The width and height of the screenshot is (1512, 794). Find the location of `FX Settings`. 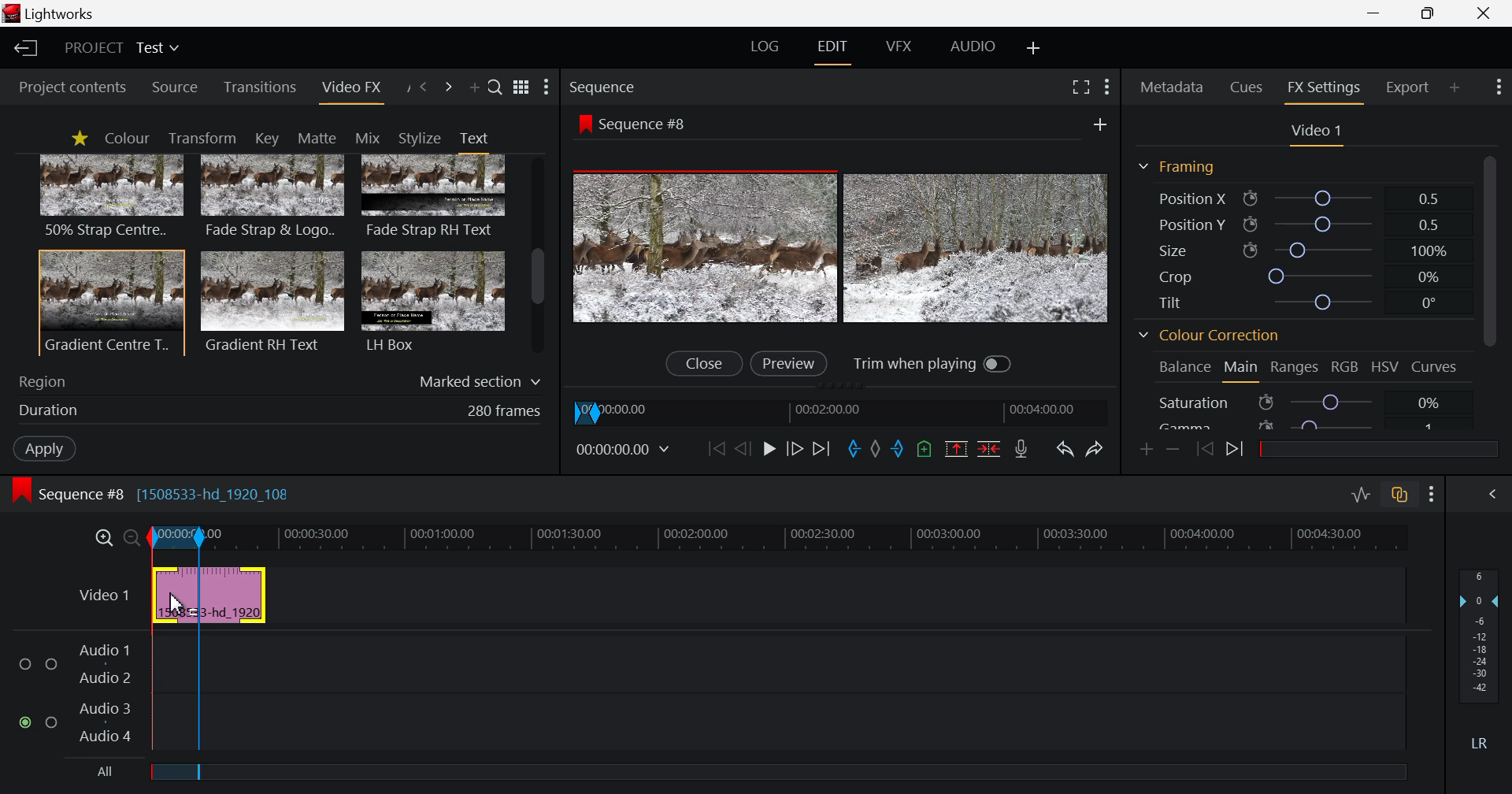

FX Settings is located at coordinates (1323, 87).